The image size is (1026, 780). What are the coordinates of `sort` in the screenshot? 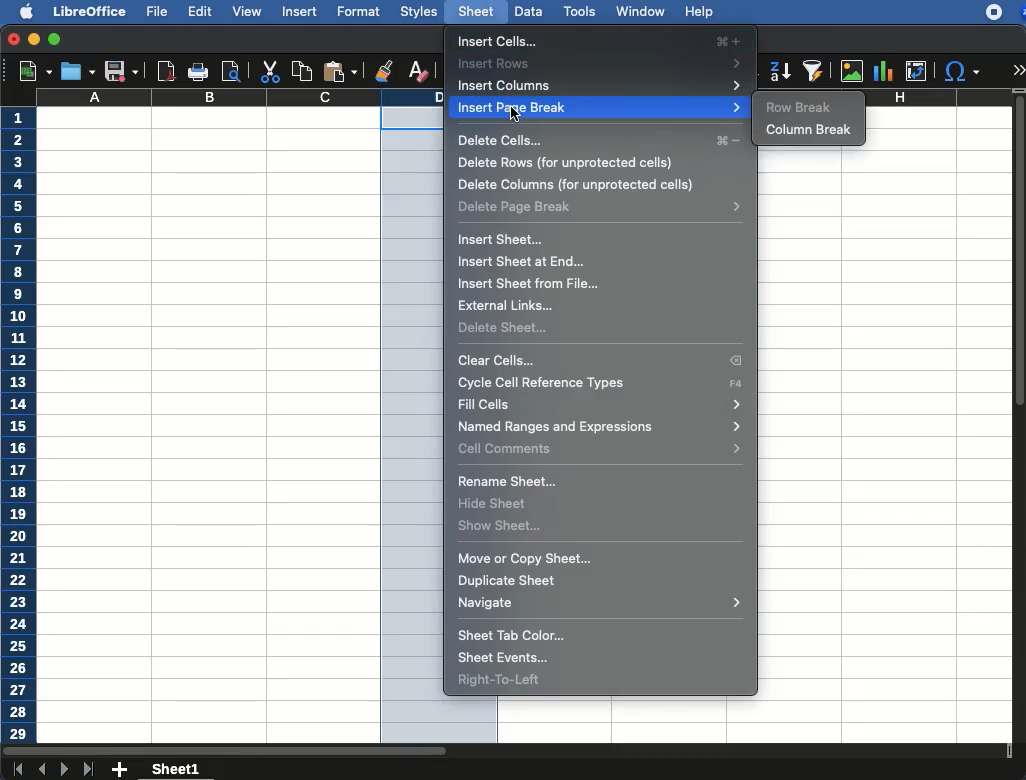 It's located at (812, 72).